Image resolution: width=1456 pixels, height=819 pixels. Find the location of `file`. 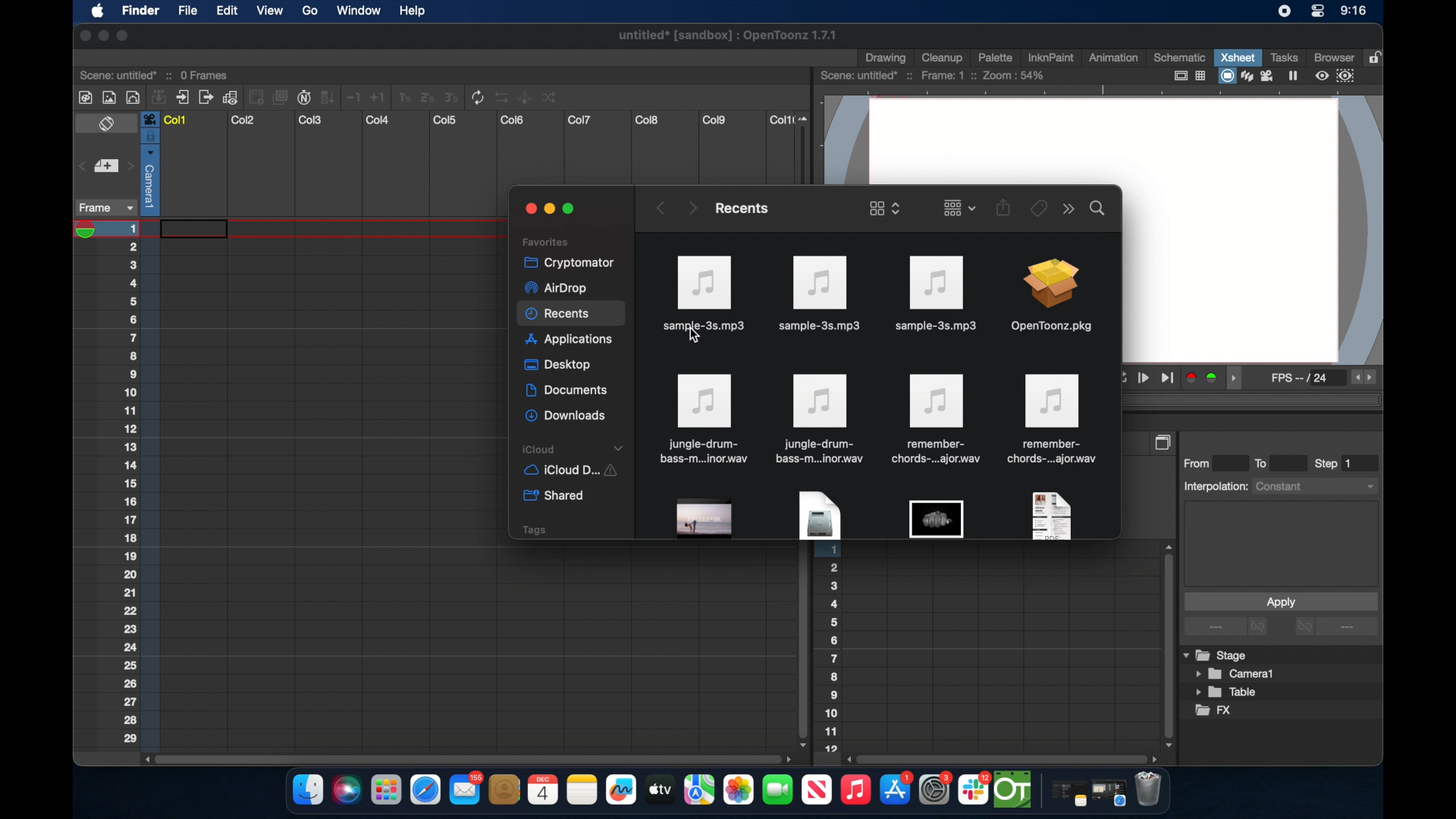

file is located at coordinates (187, 12).